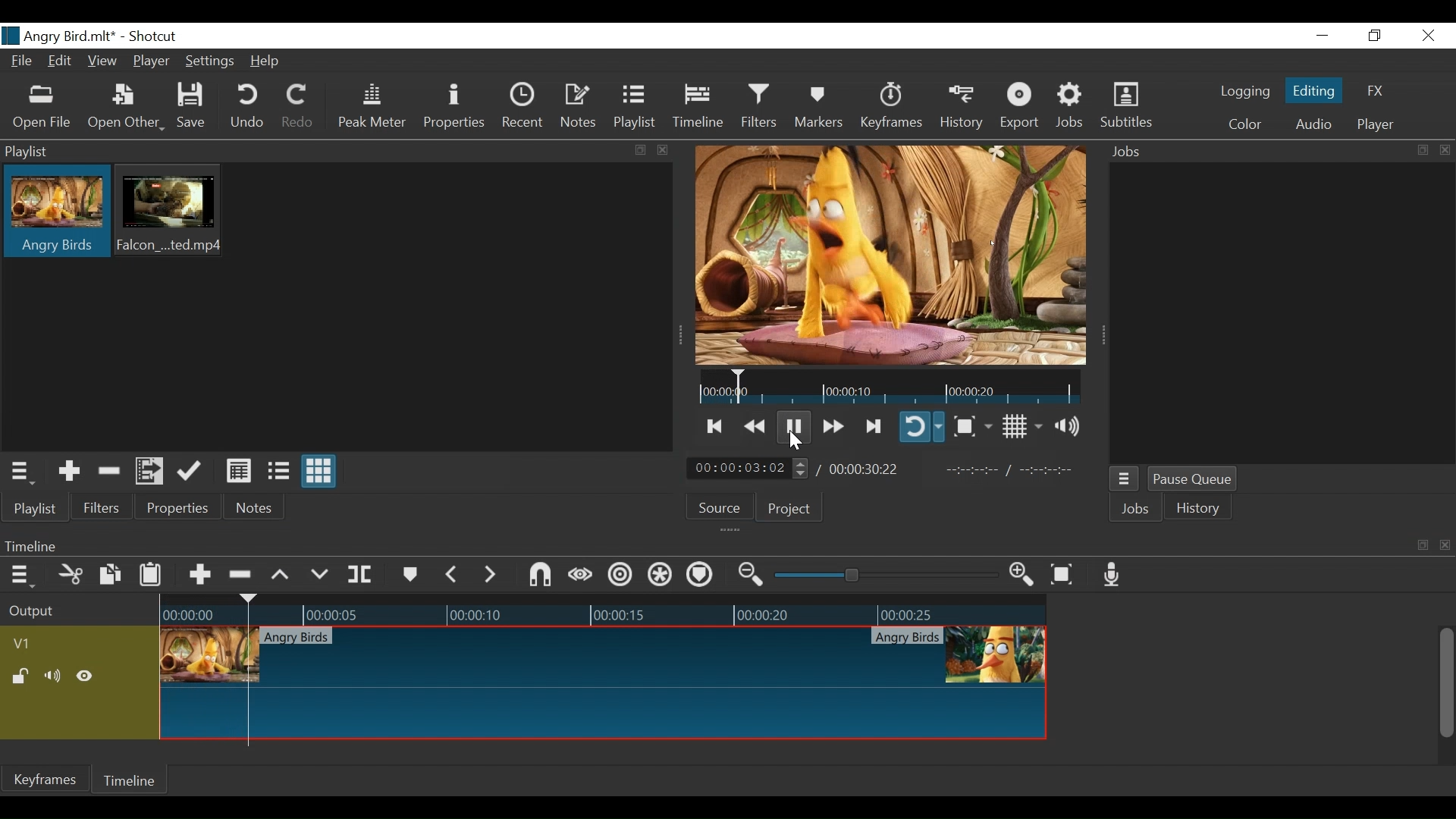 The width and height of the screenshot is (1456, 819). Describe the element at coordinates (1277, 150) in the screenshot. I see `Jobs Panel` at that location.